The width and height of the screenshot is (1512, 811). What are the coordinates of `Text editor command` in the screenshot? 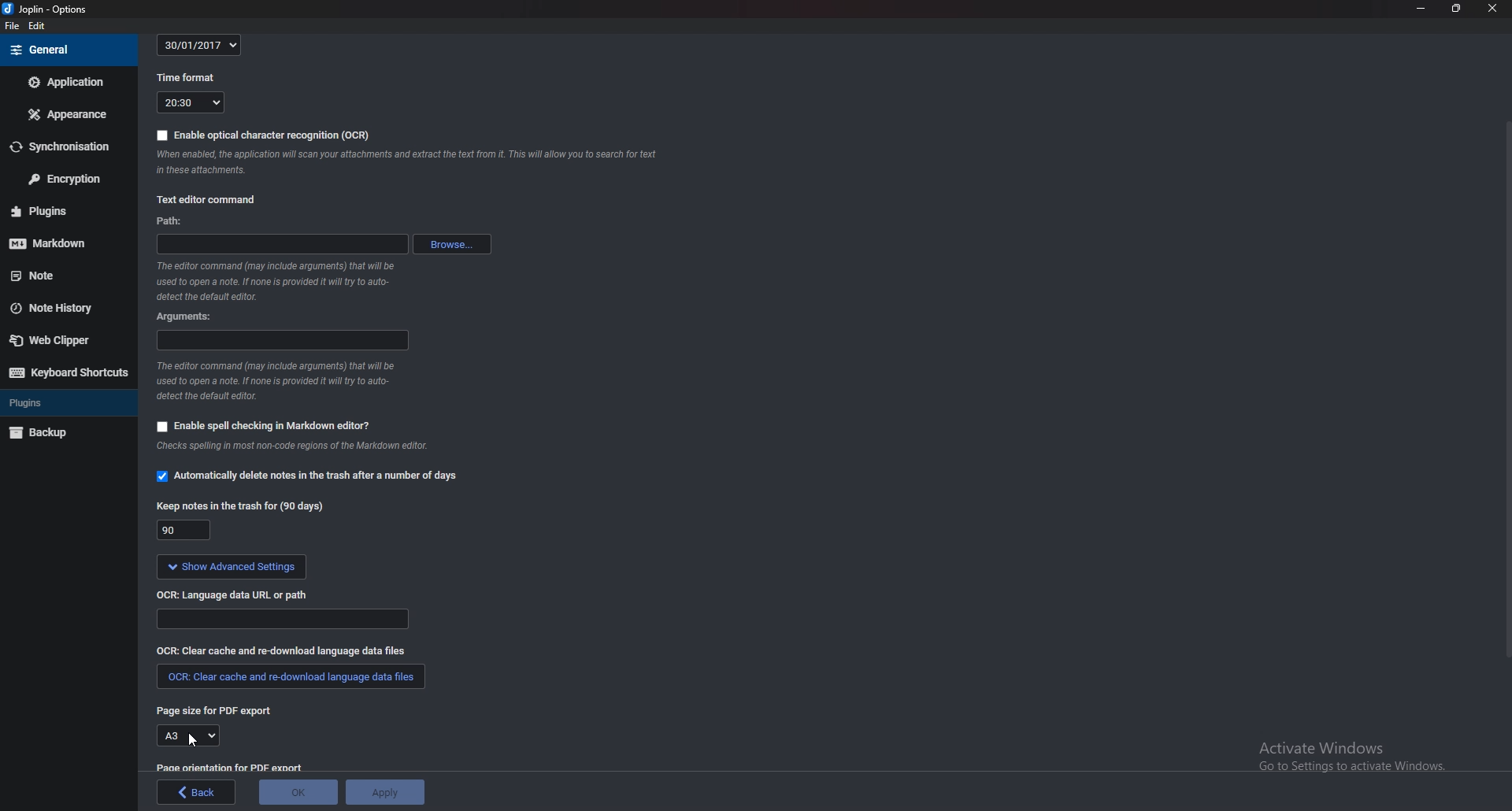 It's located at (208, 200).